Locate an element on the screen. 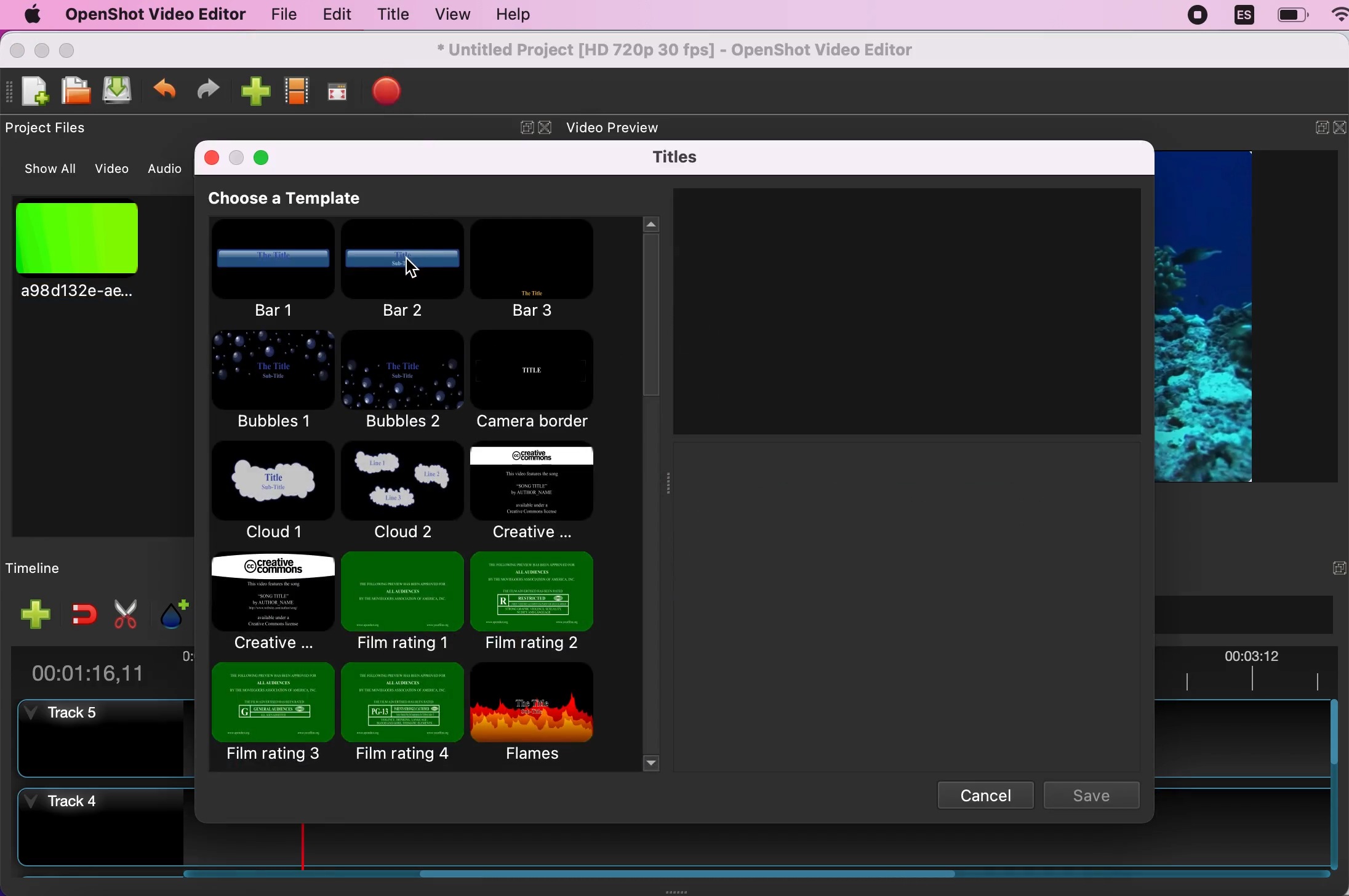 The image size is (1349, 896). hide/expand is located at coordinates (1315, 567).